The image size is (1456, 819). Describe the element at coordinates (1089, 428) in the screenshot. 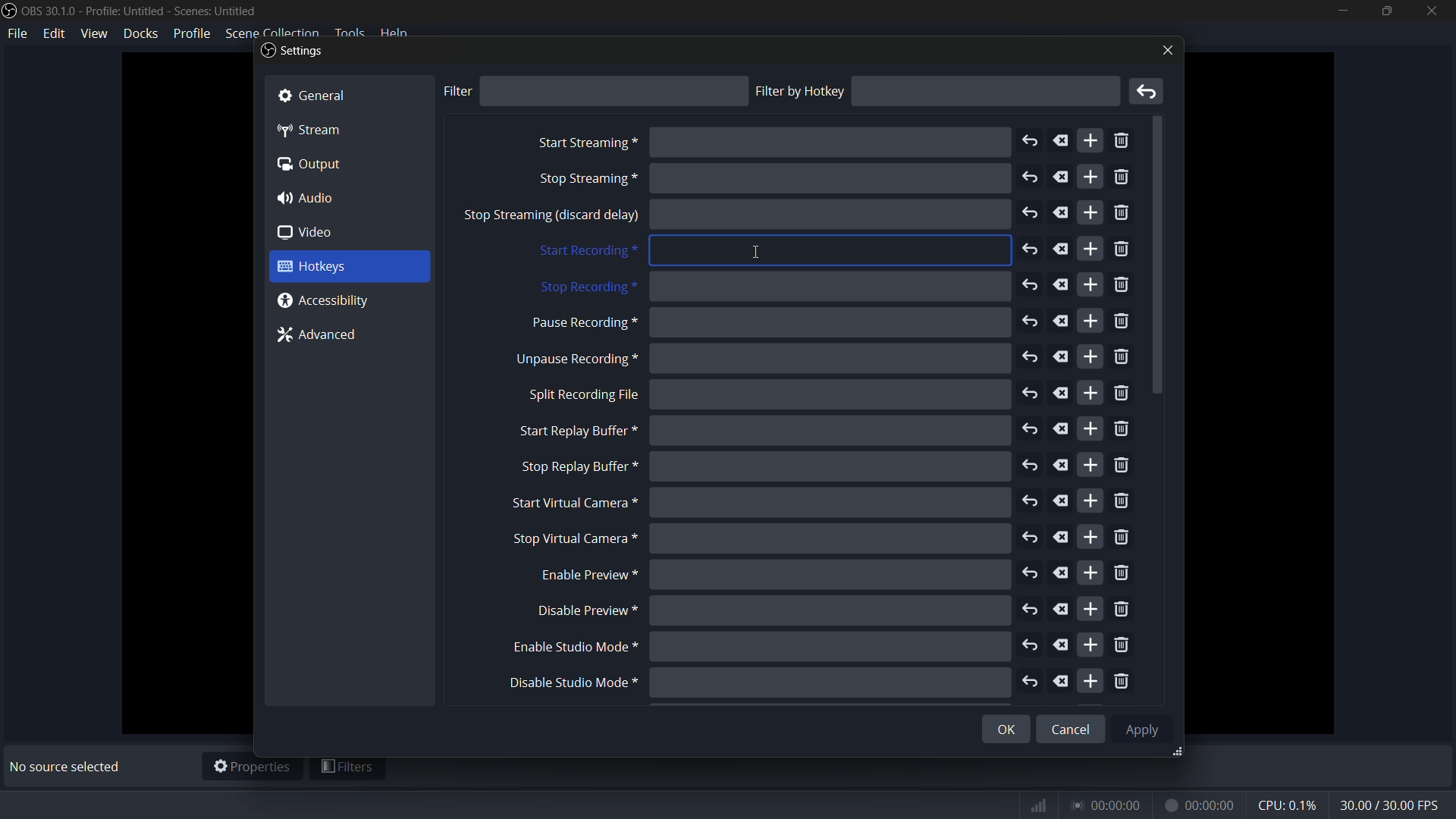

I see `add more` at that location.